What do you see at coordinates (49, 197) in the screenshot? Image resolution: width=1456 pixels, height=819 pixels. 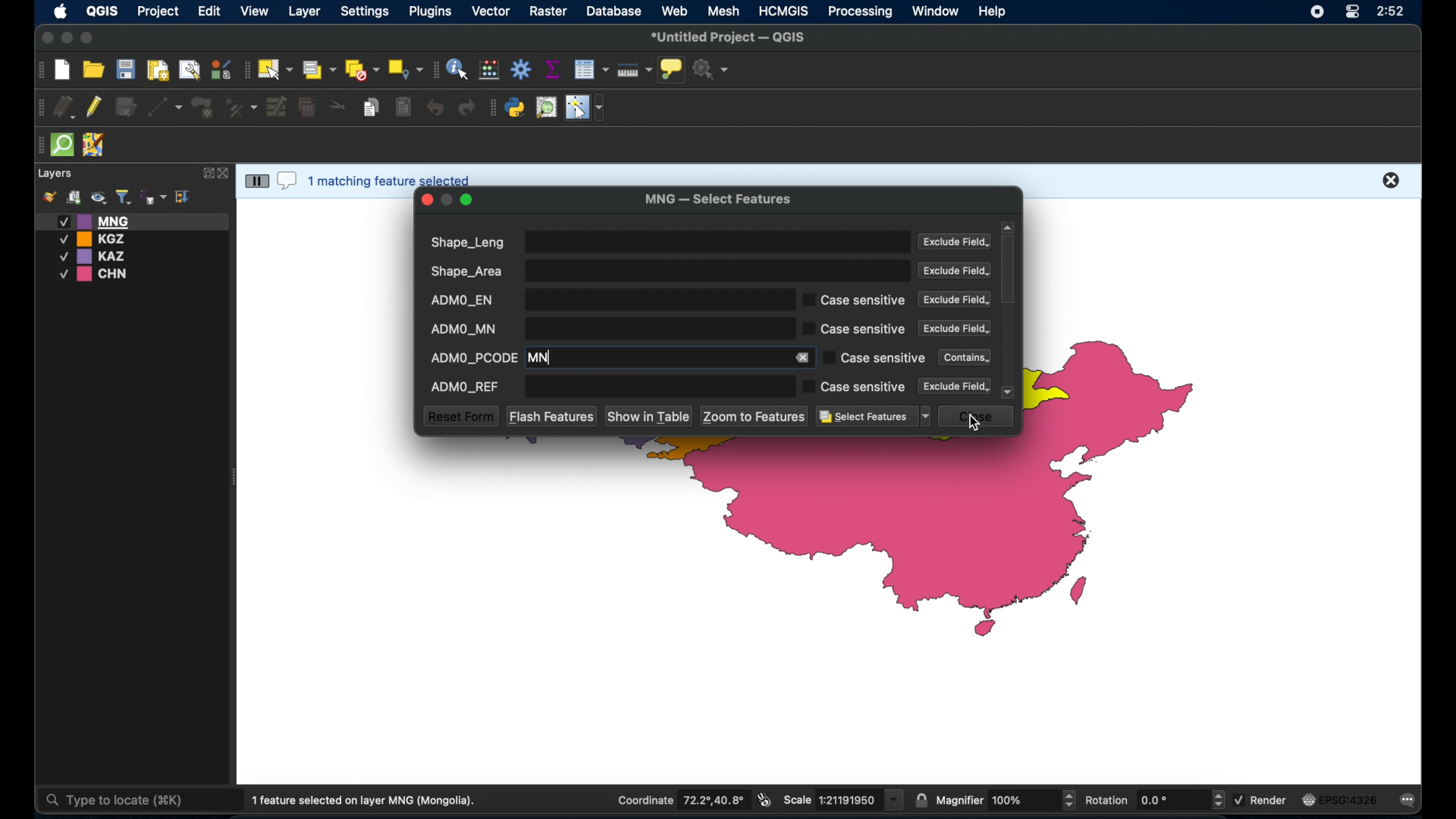 I see `open layer styling panel` at bounding box center [49, 197].